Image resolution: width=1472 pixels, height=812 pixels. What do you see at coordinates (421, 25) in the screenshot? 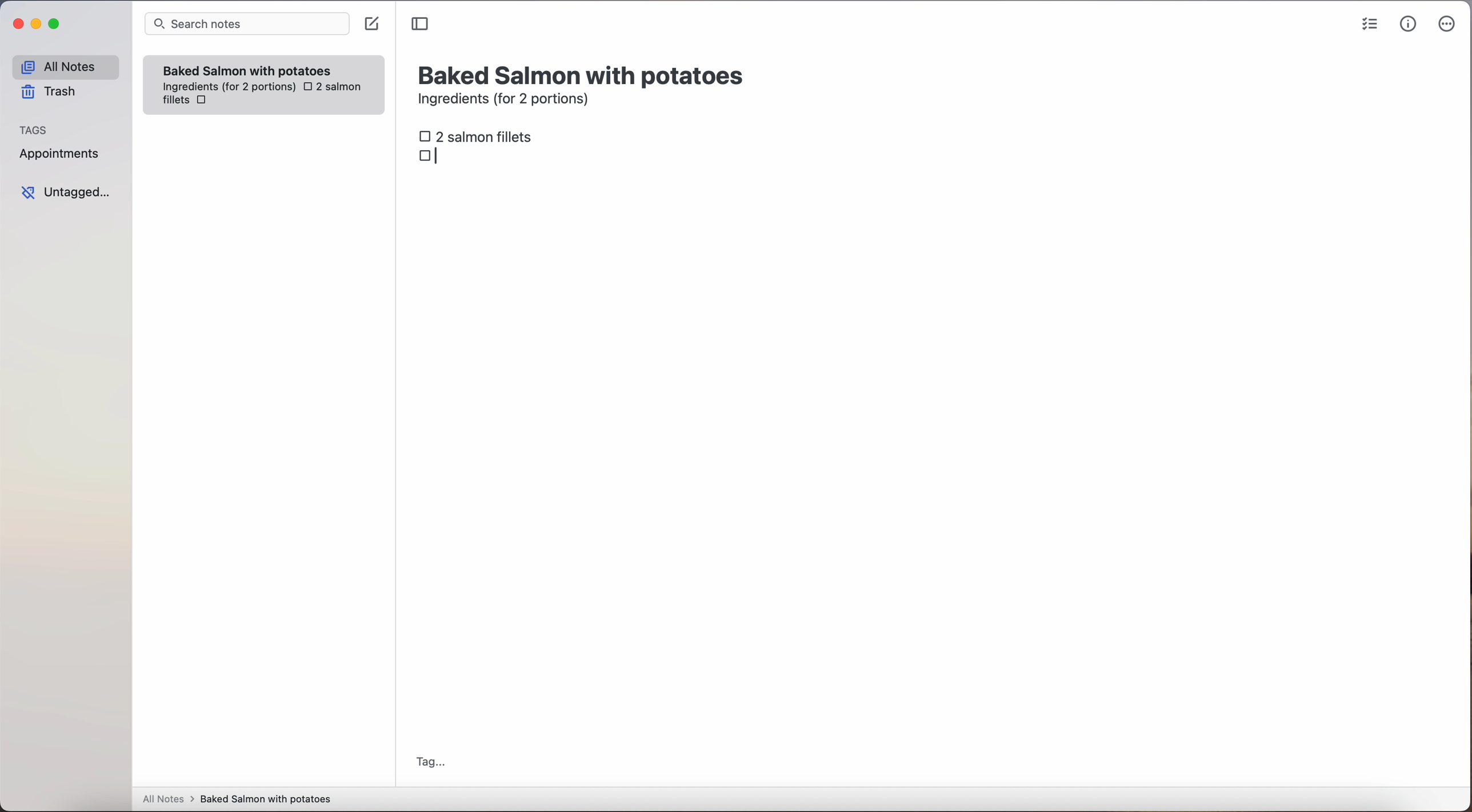
I see `toggle sidebar` at bounding box center [421, 25].